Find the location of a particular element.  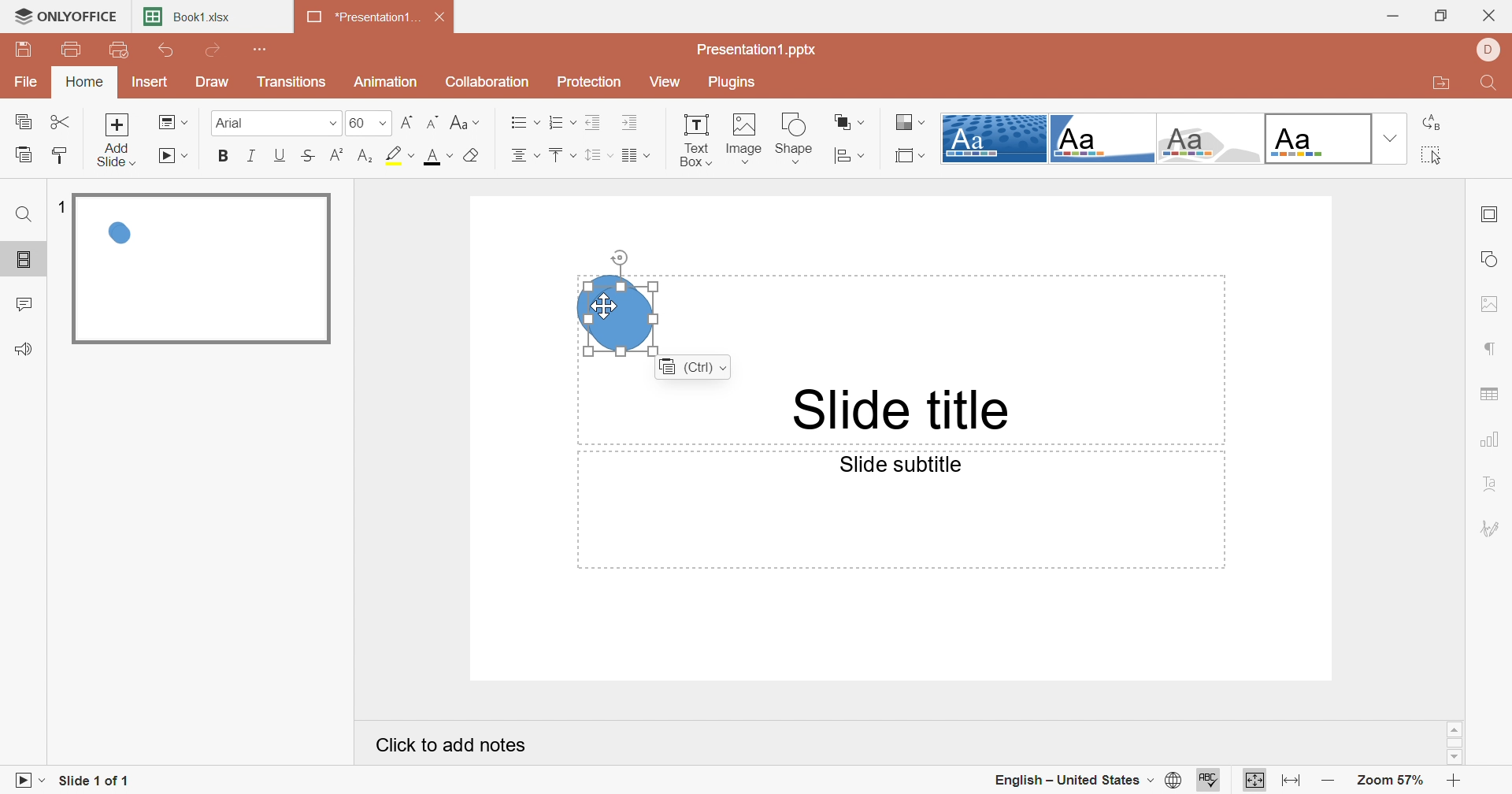

Open file location is located at coordinates (1437, 84).